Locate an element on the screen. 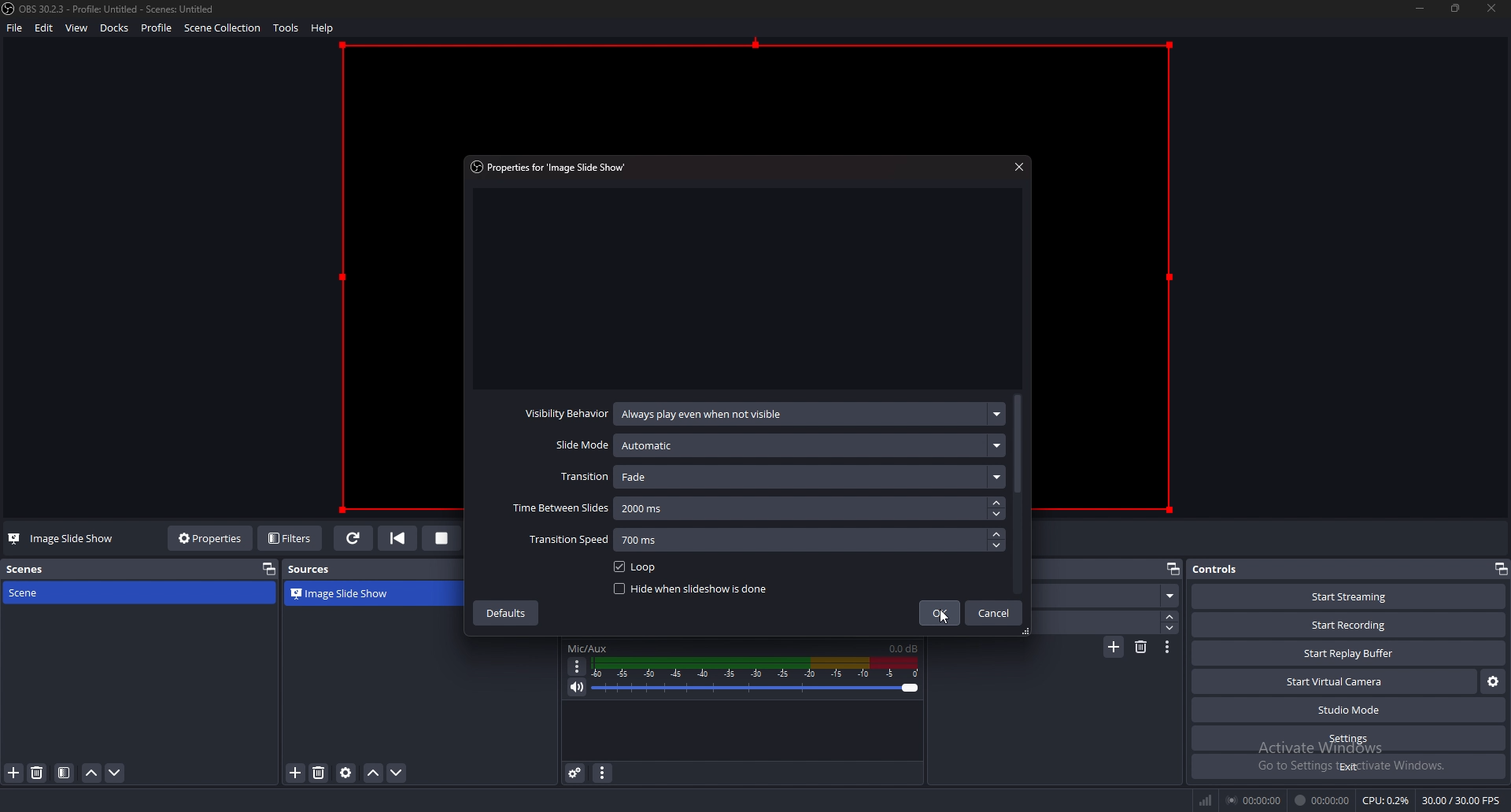 The height and width of the screenshot is (812, 1511). cursor is located at coordinates (942, 618).